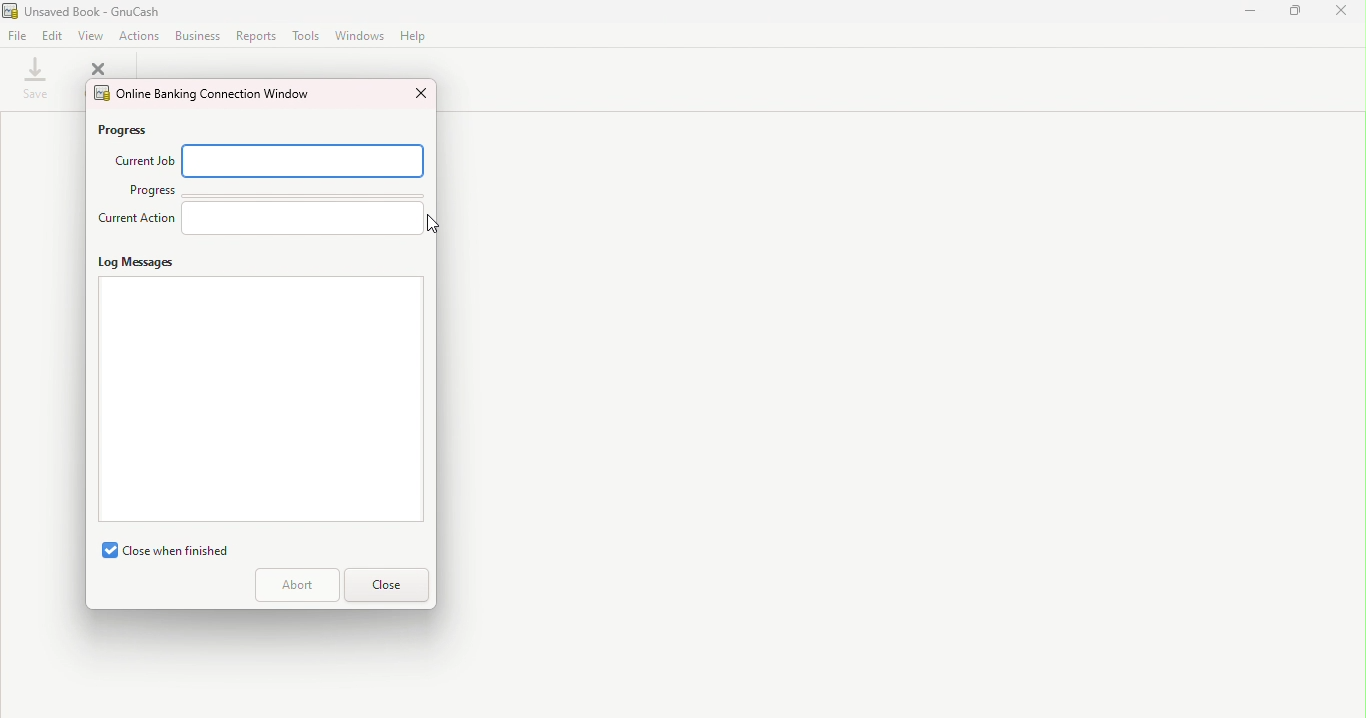  Describe the element at coordinates (259, 401) in the screenshot. I see `Text box` at that location.